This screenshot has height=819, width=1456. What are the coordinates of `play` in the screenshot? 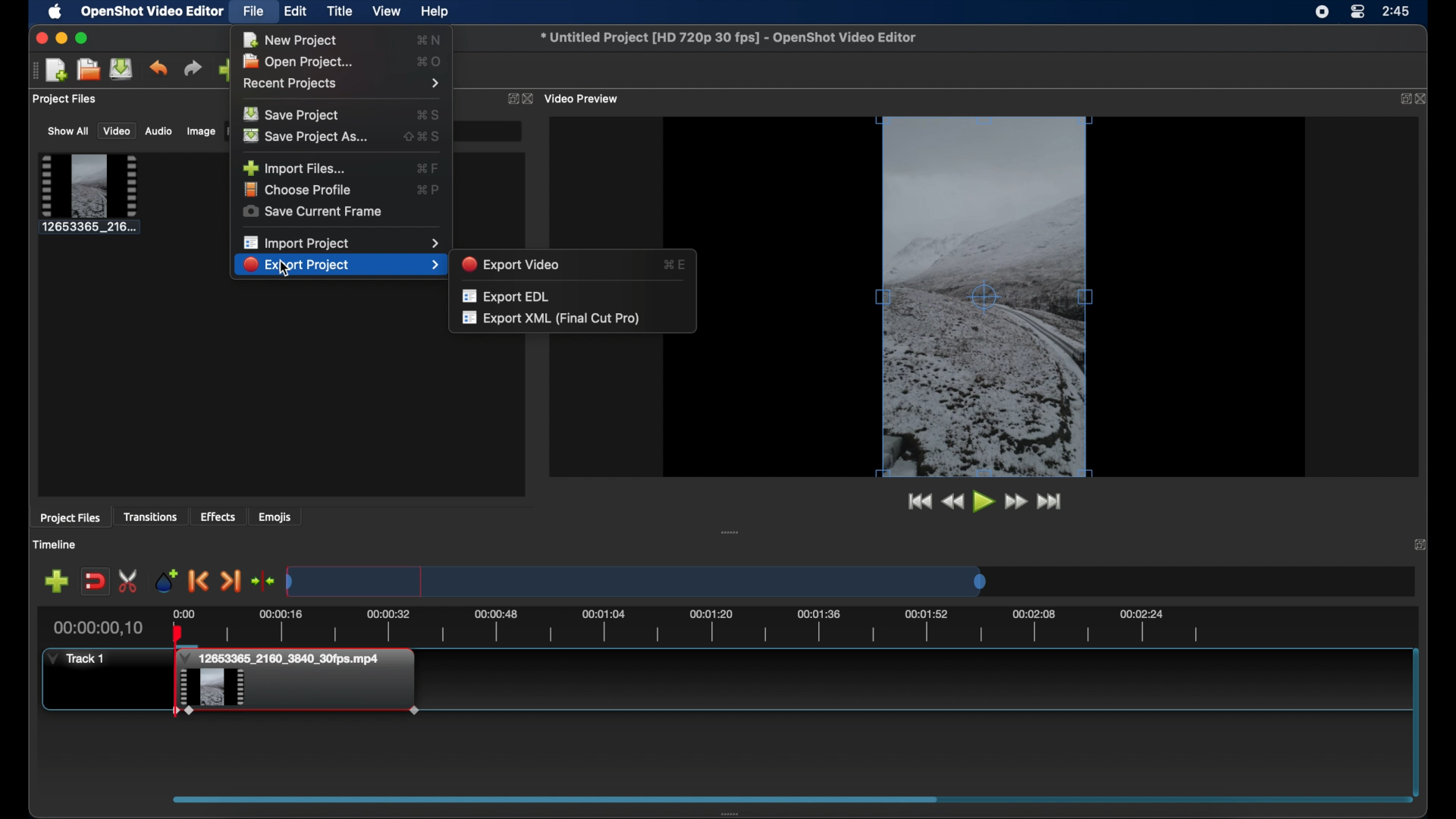 It's located at (983, 502).